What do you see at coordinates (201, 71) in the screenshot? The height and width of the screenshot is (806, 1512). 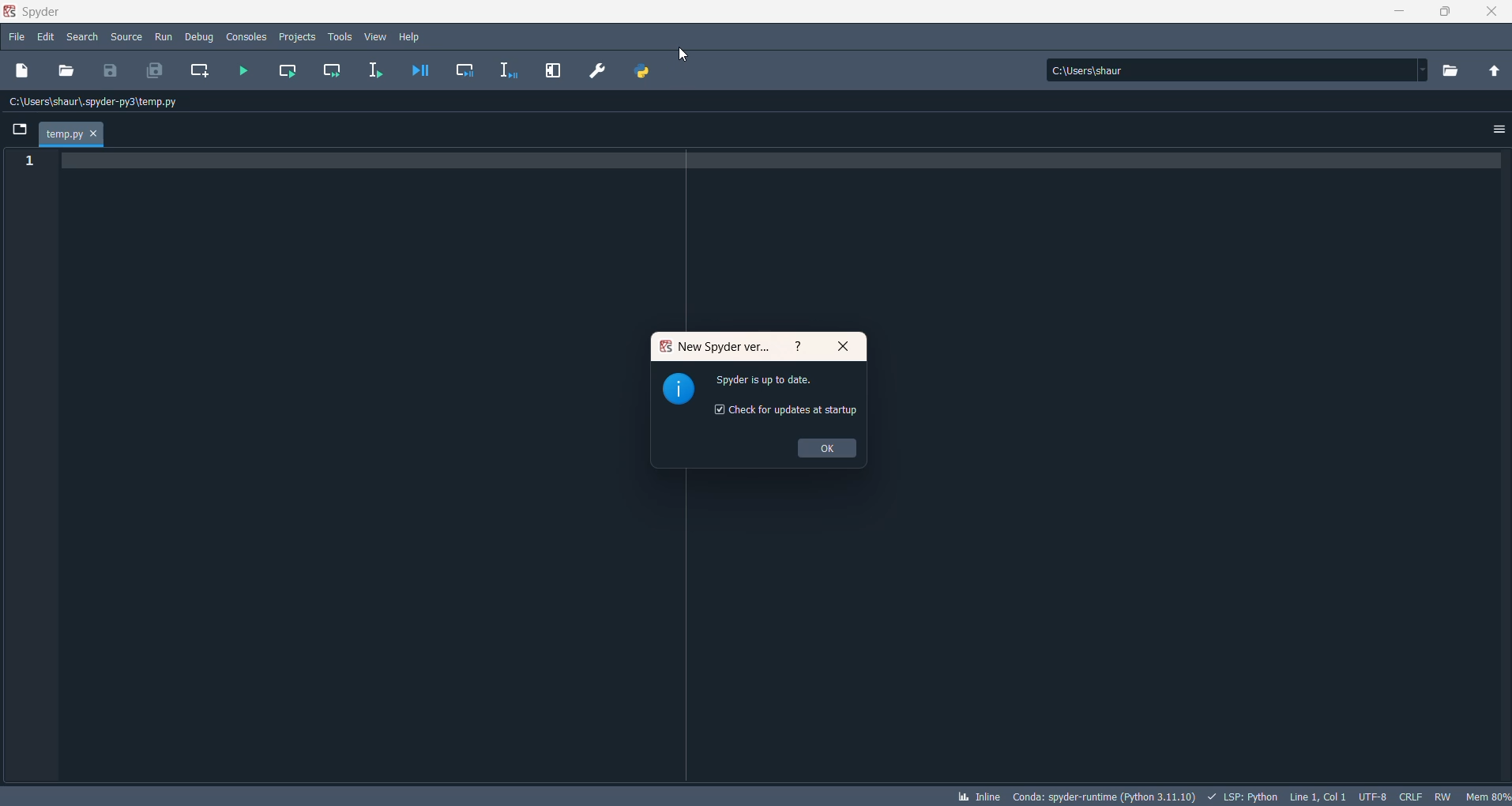 I see `create new cell` at bounding box center [201, 71].